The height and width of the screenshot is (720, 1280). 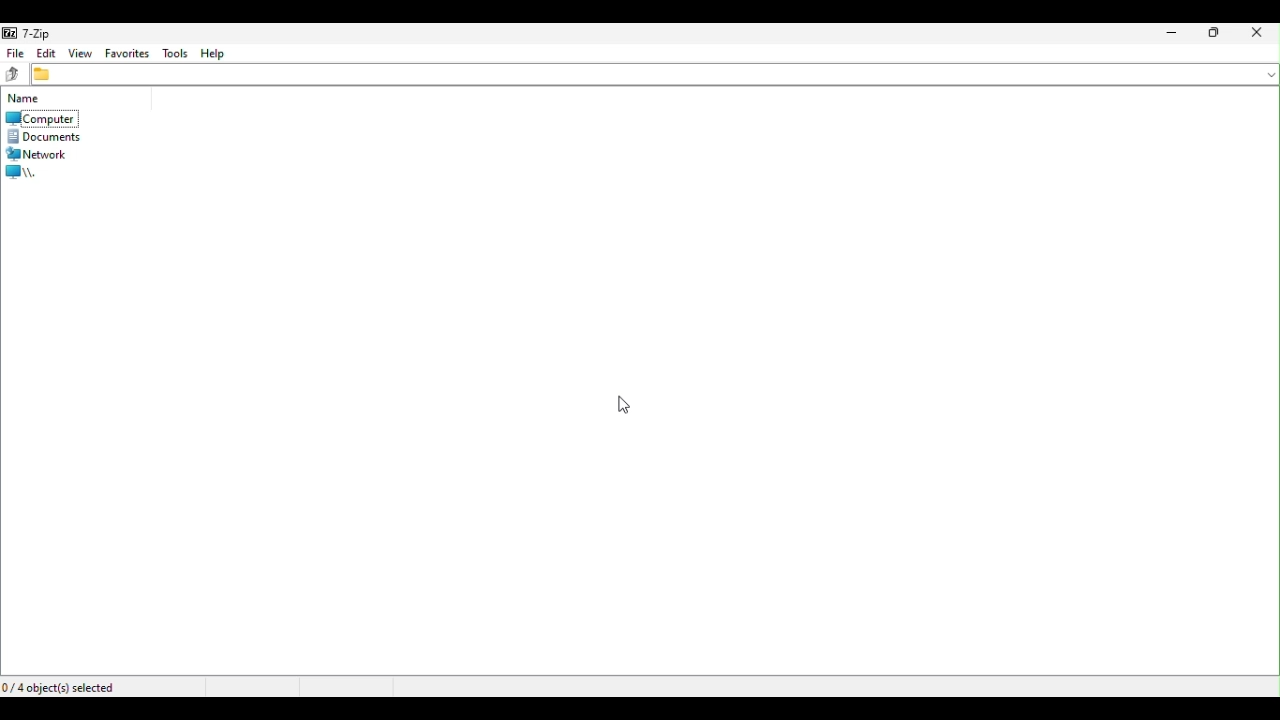 I want to click on name, so click(x=25, y=98).